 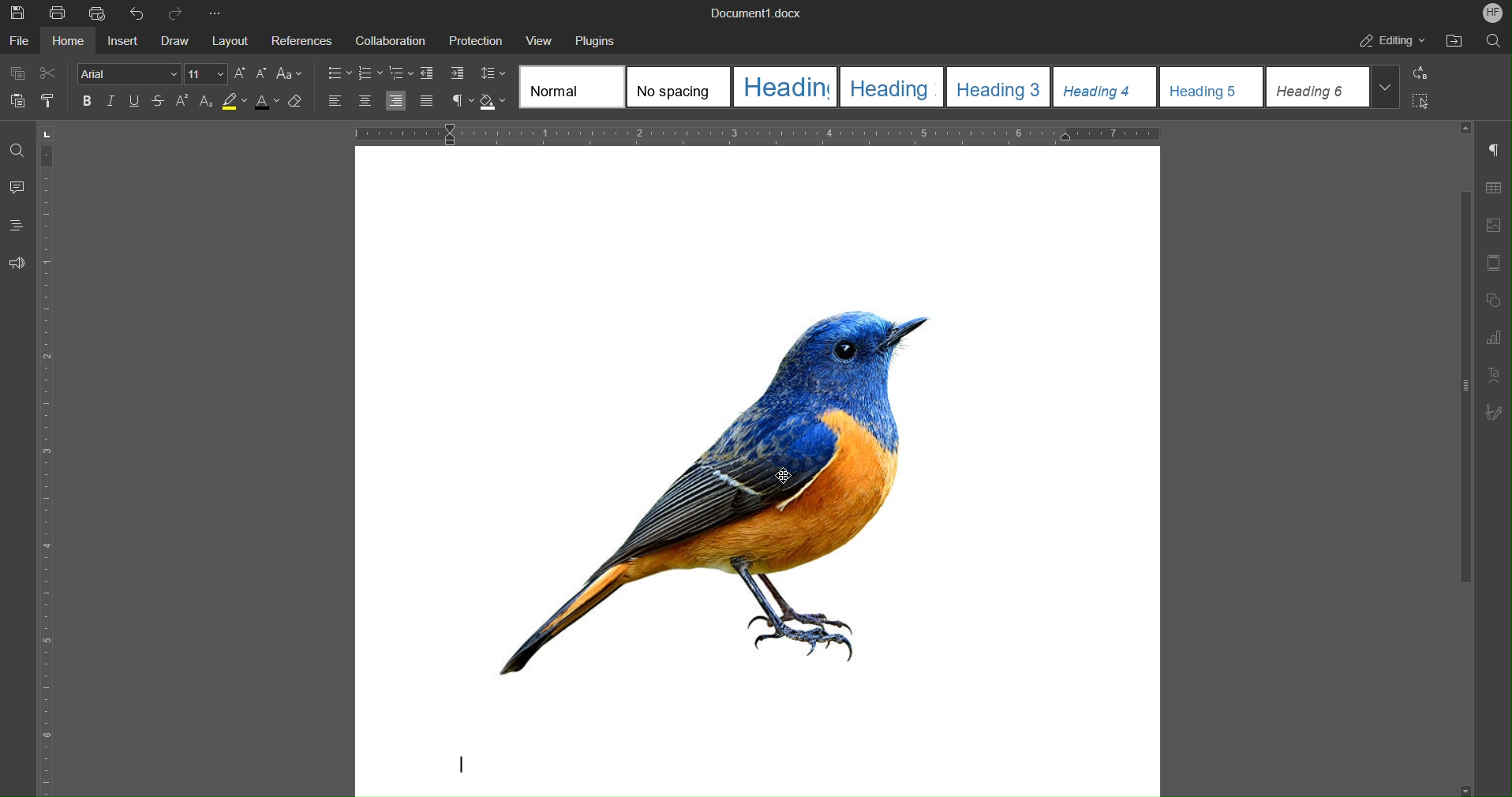 What do you see at coordinates (400, 74) in the screenshot?
I see `Staggered List` at bounding box center [400, 74].